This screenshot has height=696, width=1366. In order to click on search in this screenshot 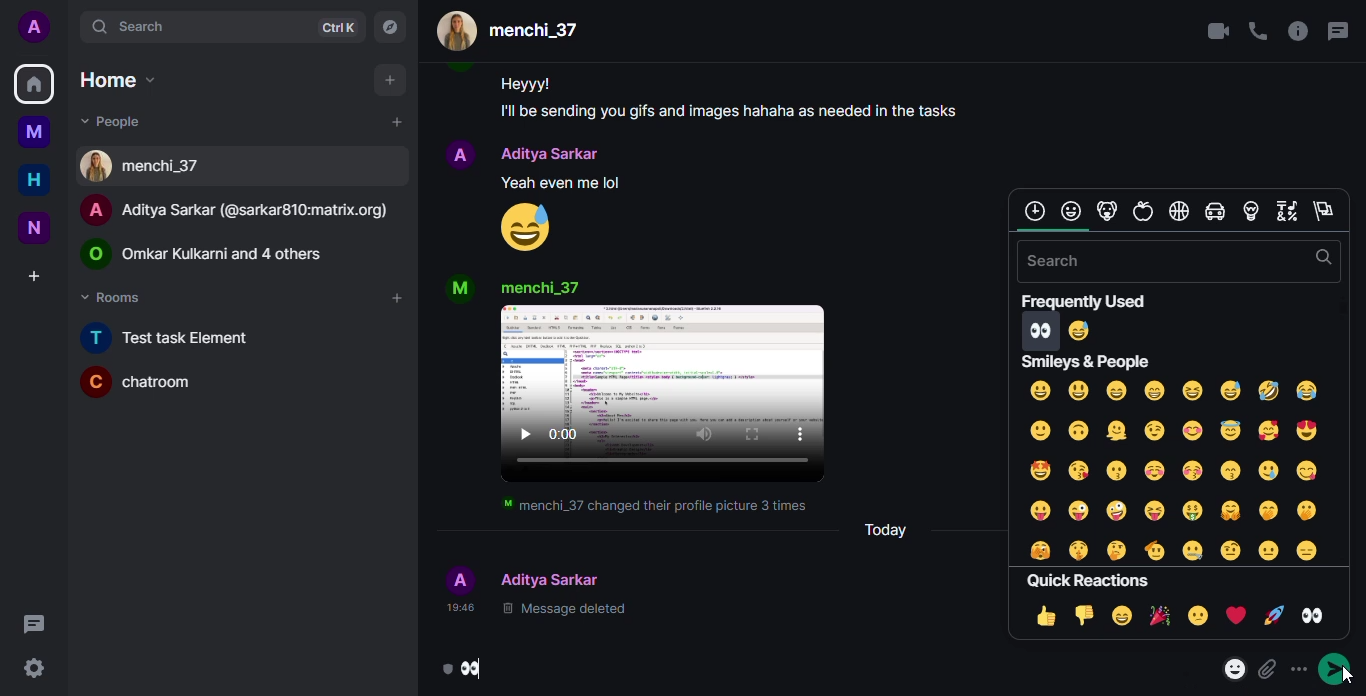, I will do `click(1065, 260)`.